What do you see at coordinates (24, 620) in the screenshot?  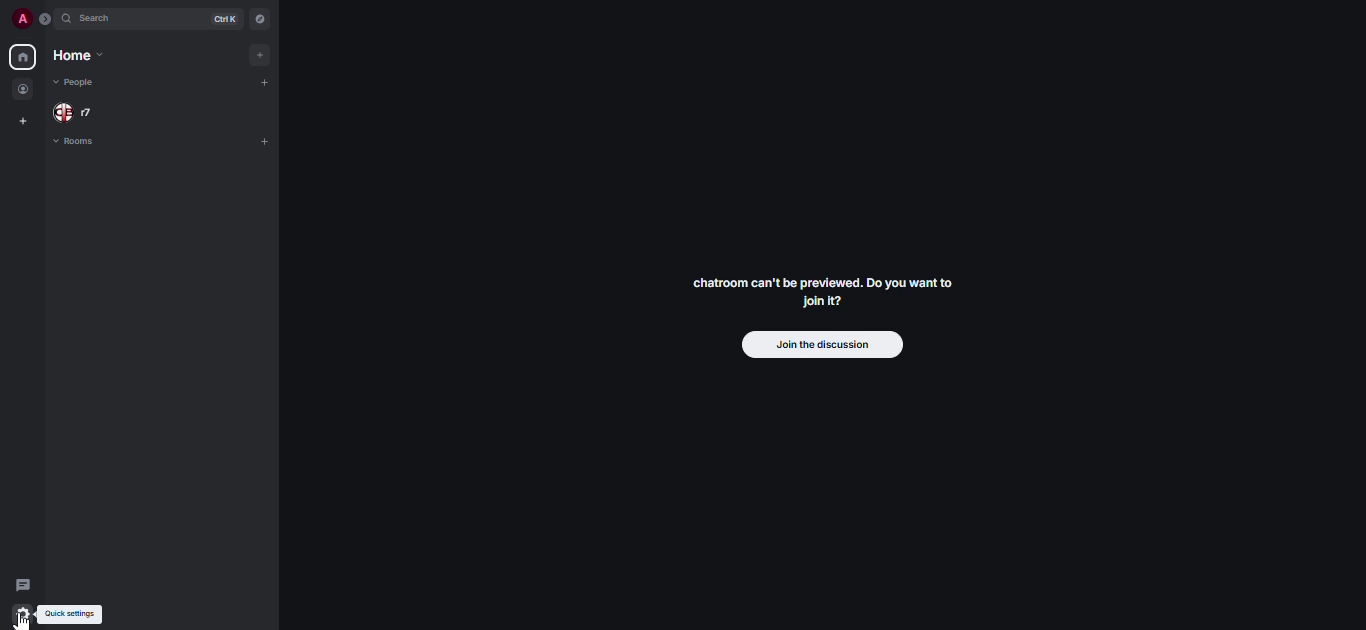 I see `cursor` at bounding box center [24, 620].